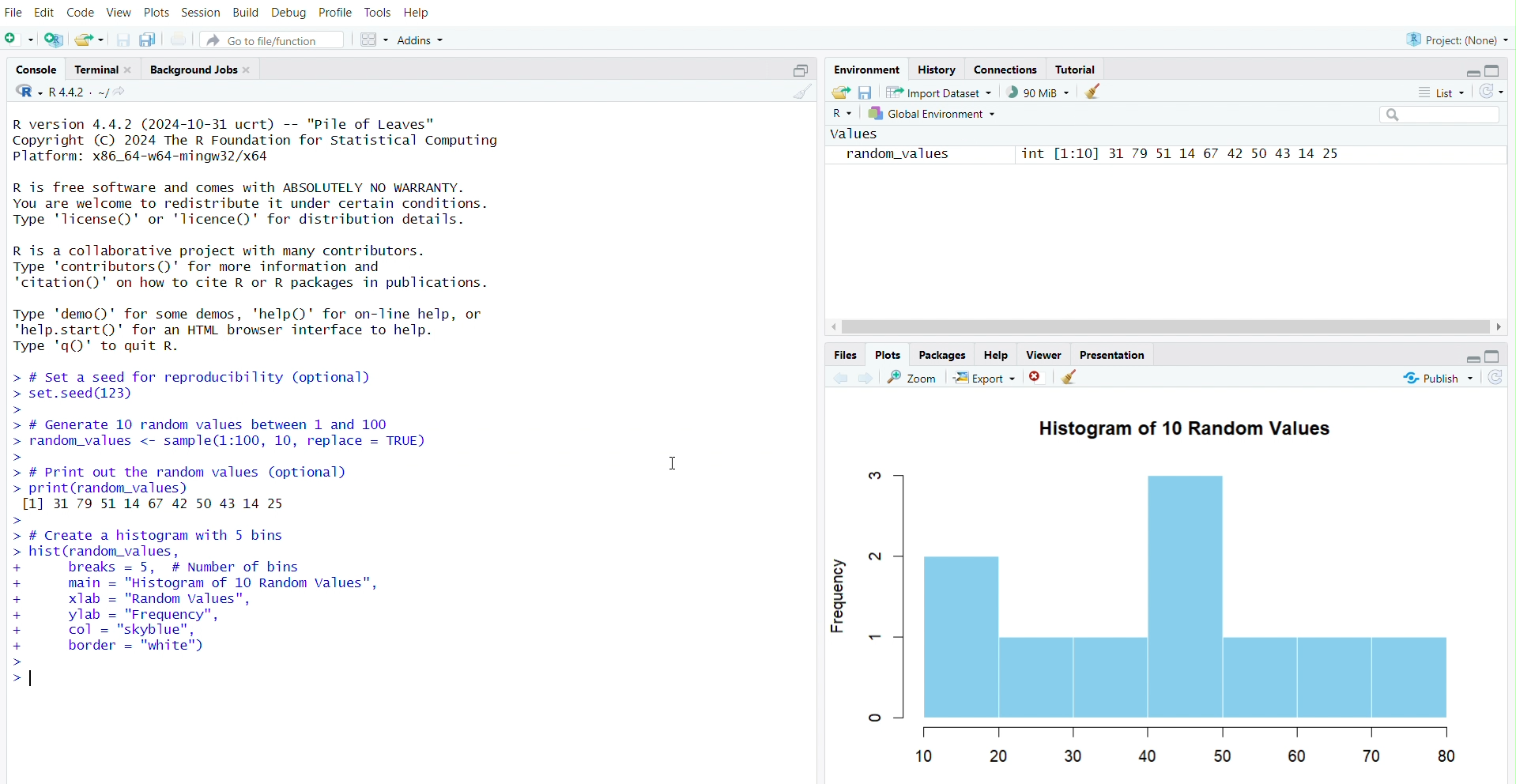  Describe the element at coordinates (203, 10) in the screenshot. I see `session` at that location.